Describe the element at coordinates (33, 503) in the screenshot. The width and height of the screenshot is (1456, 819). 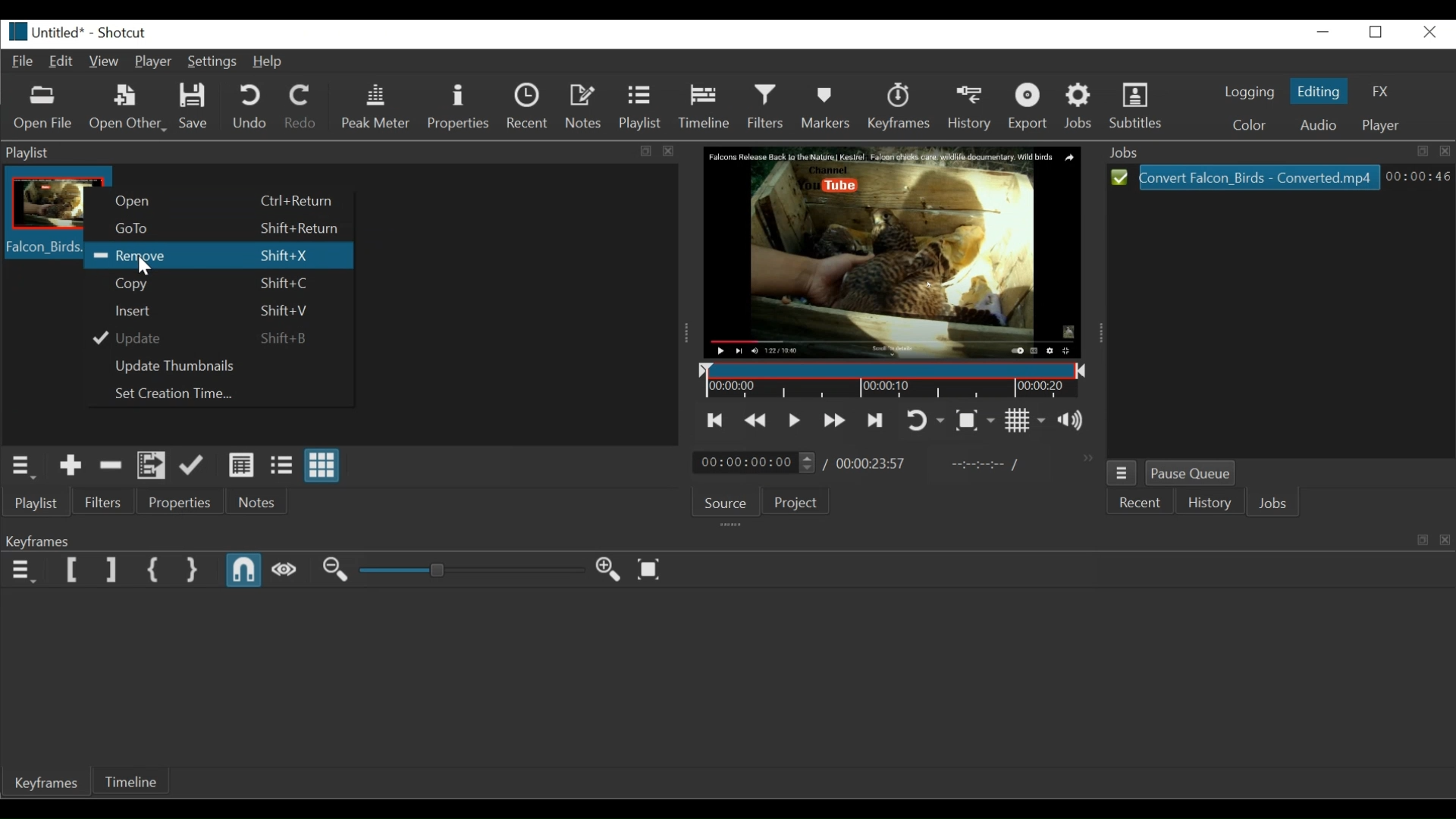
I see `Playlist` at that location.